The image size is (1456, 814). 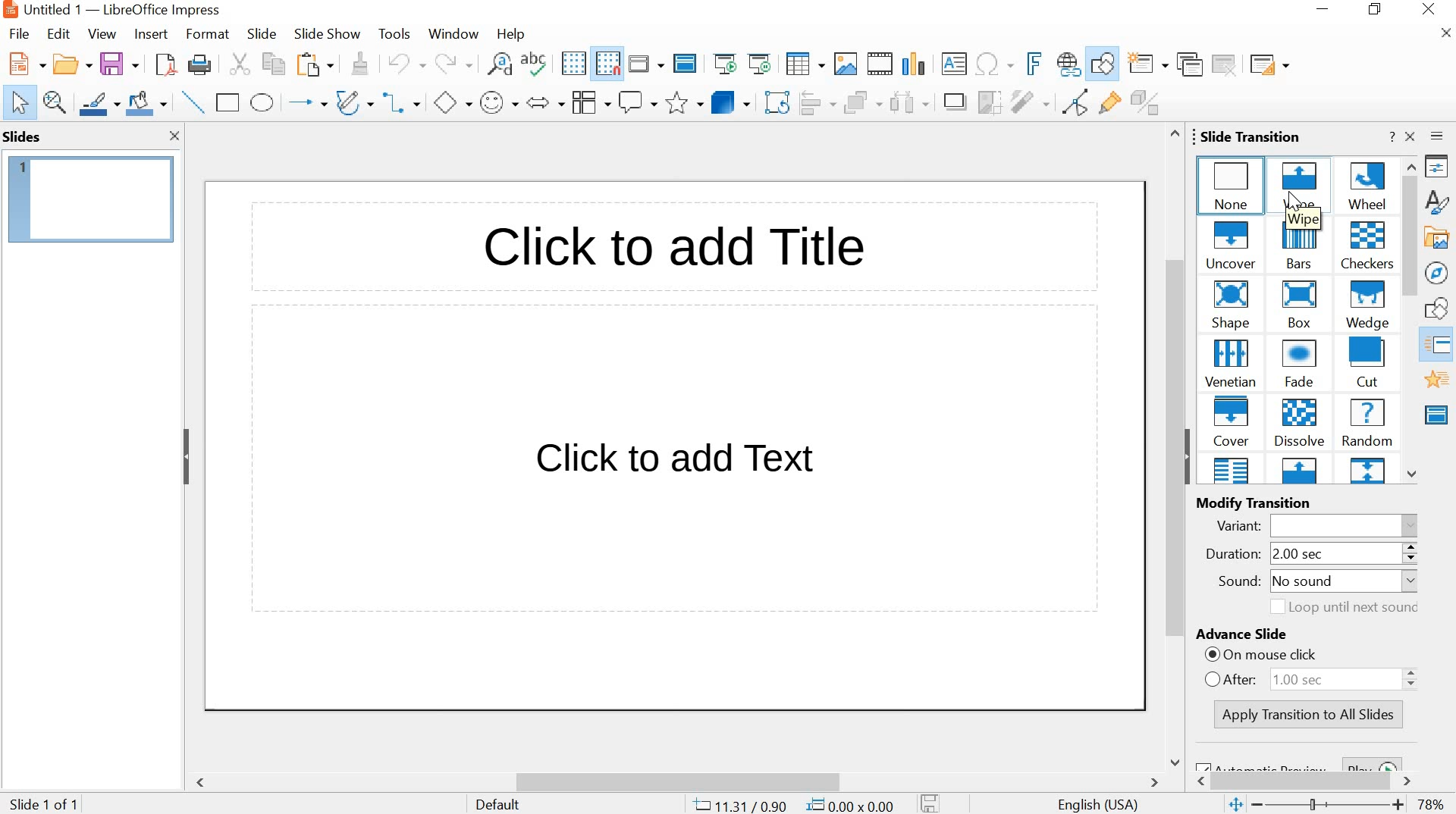 I want to click on COVER, so click(x=1232, y=421).